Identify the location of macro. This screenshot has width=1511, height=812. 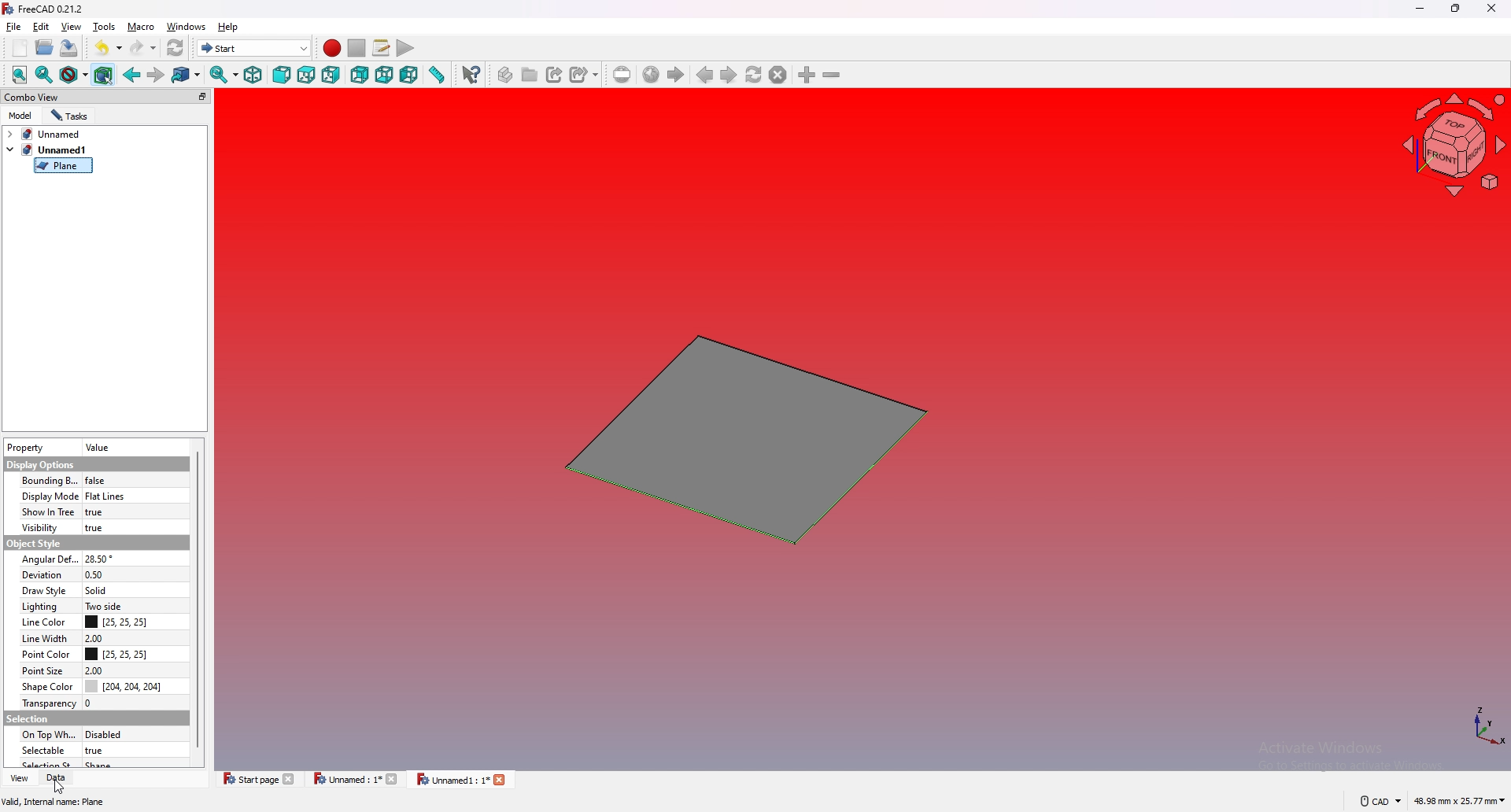
(142, 26).